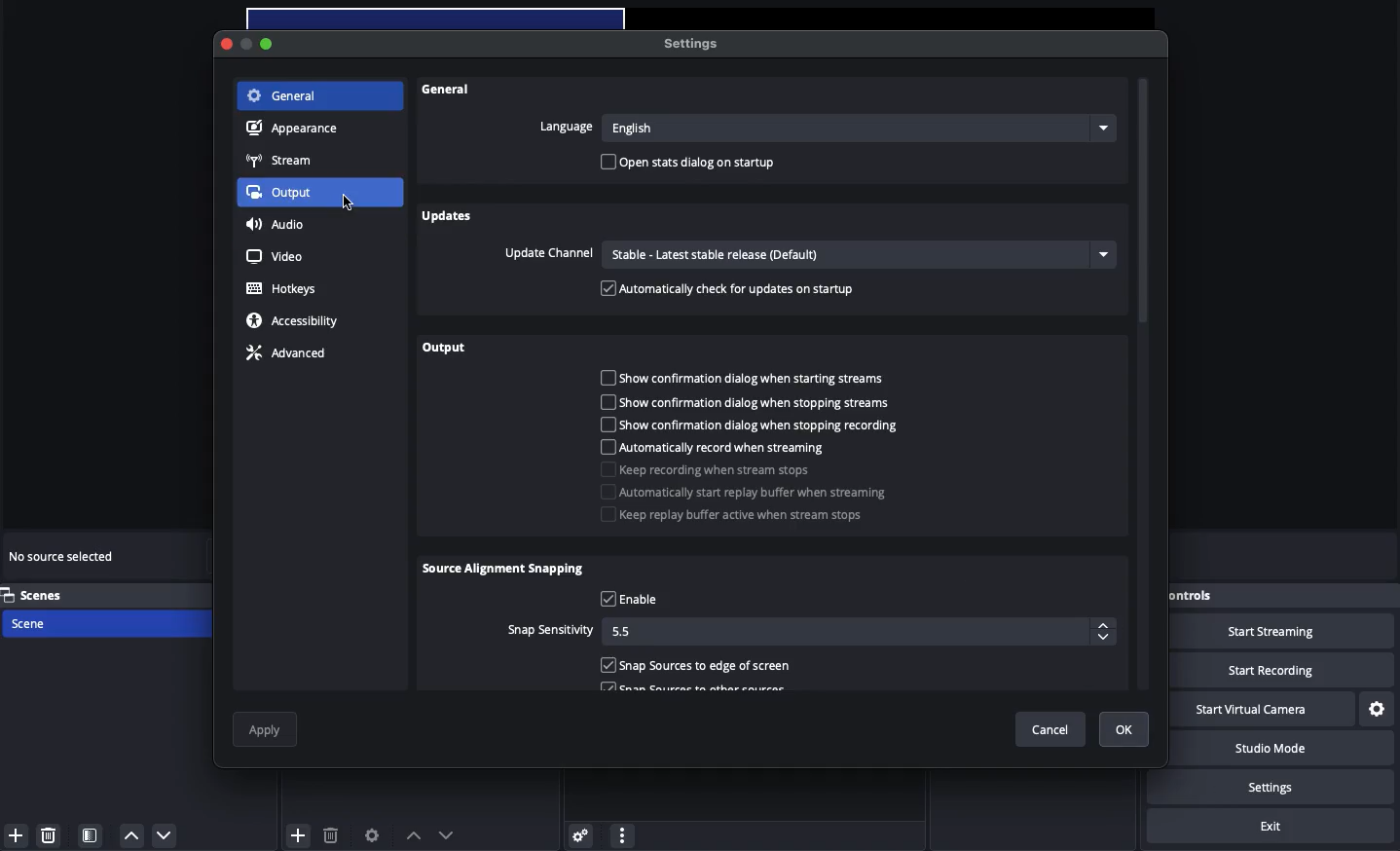  What do you see at coordinates (166, 834) in the screenshot?
I see `Down` at bounding box center [166, 834].